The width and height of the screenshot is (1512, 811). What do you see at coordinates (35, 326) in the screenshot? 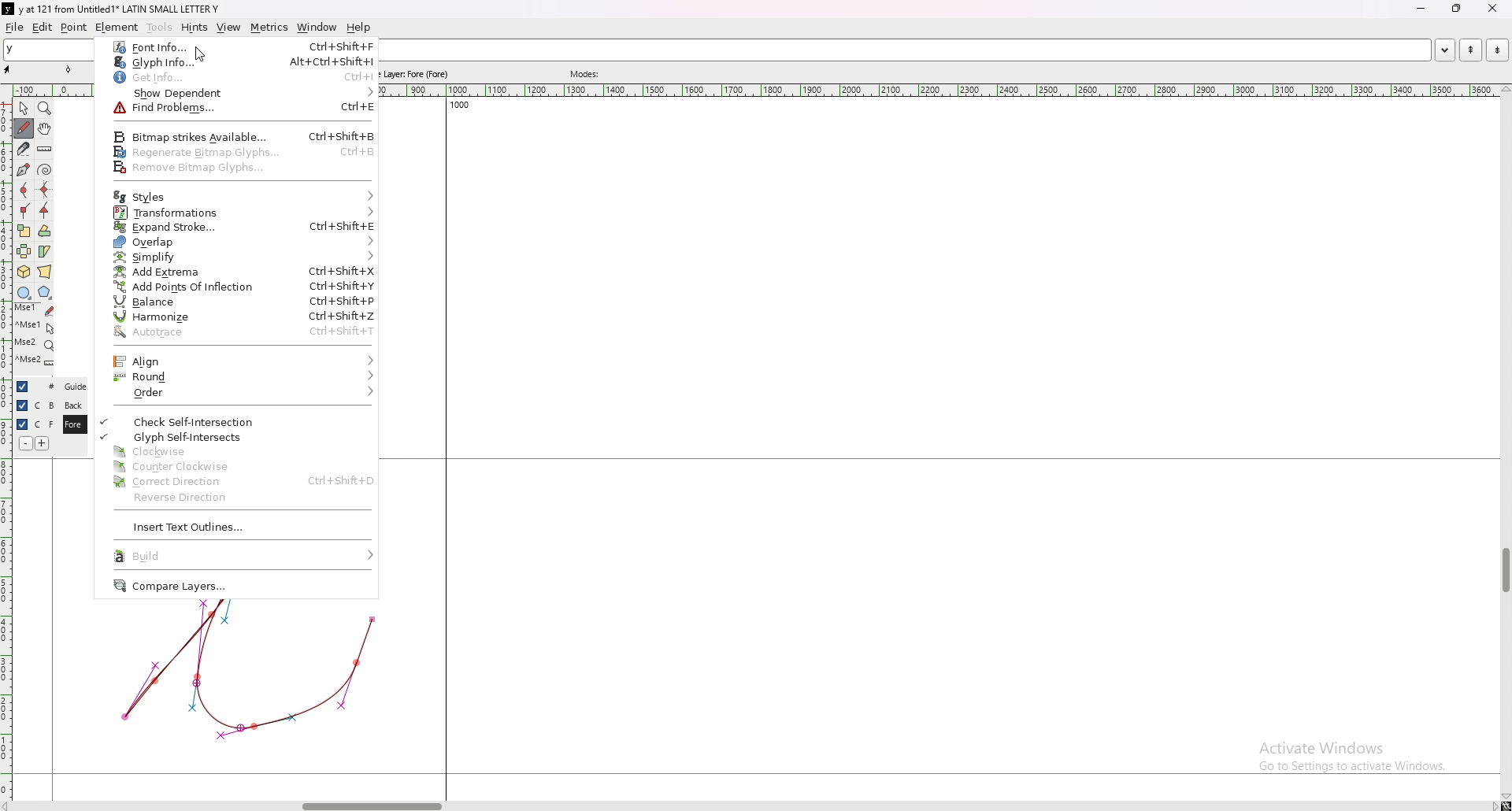
I see `mse 1` at bounding box center [35, 326].